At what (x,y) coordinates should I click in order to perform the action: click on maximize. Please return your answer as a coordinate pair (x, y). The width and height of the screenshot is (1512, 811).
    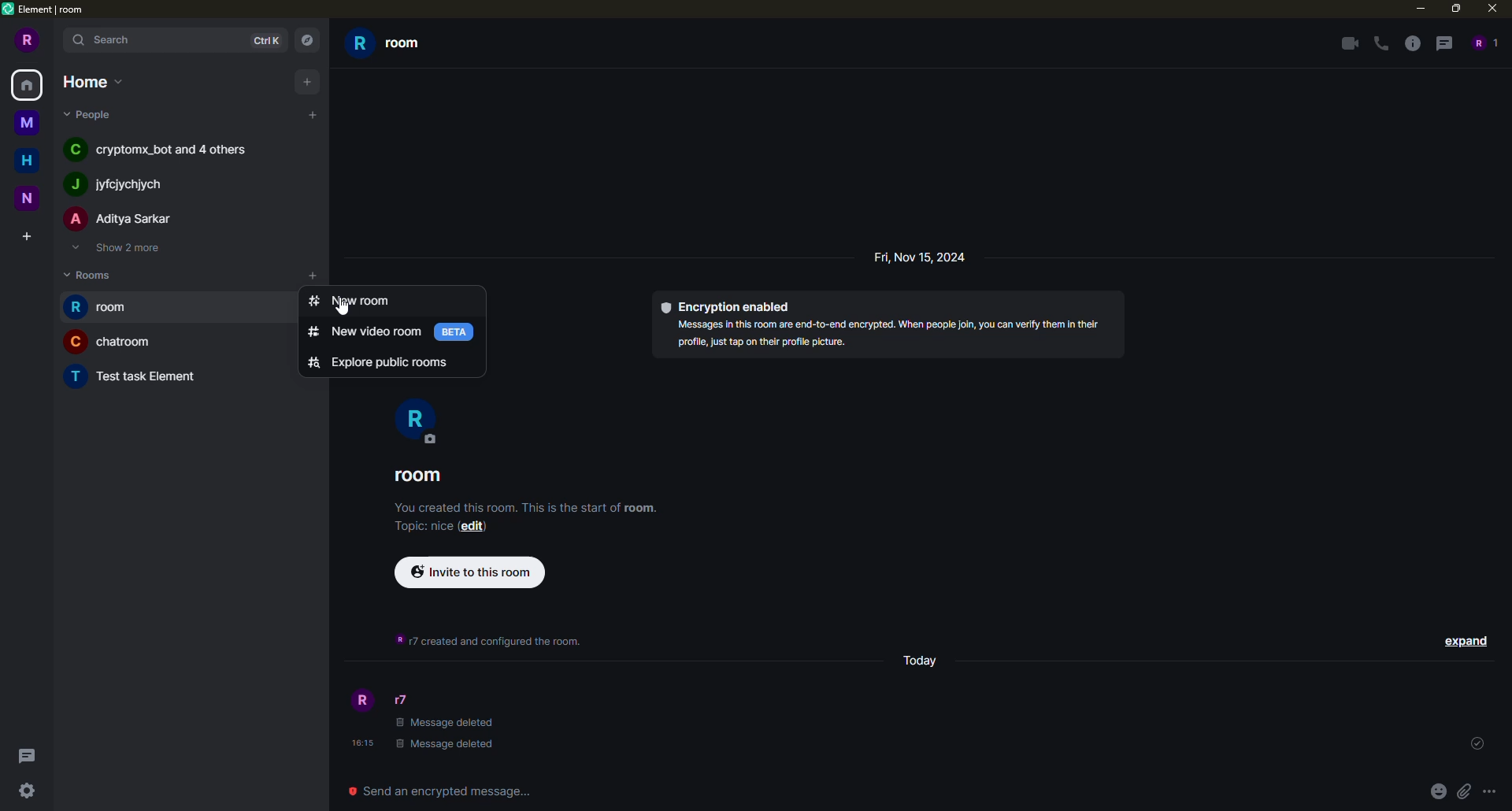
    Looking at the image, I should click on (1453, 9).